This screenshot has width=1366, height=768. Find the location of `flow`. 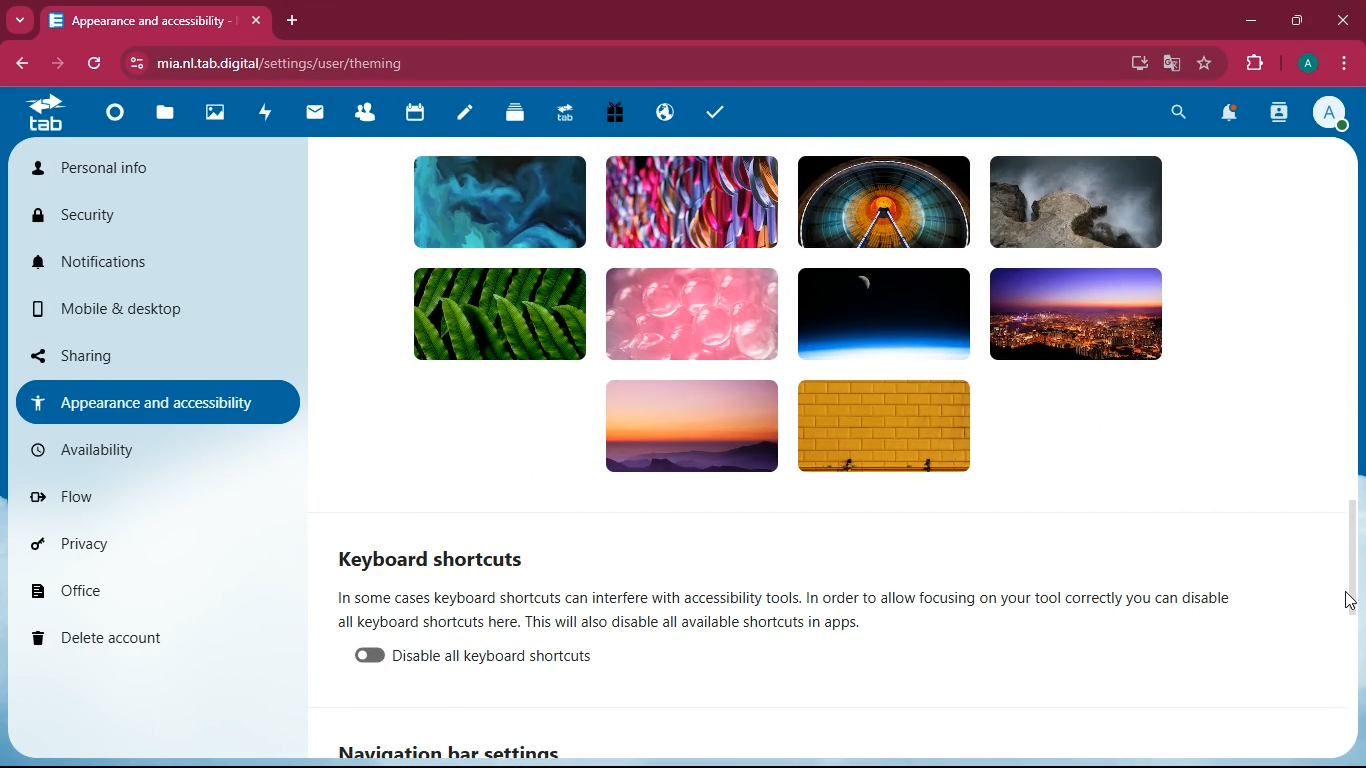

flow is located at coordinates (167, 499).